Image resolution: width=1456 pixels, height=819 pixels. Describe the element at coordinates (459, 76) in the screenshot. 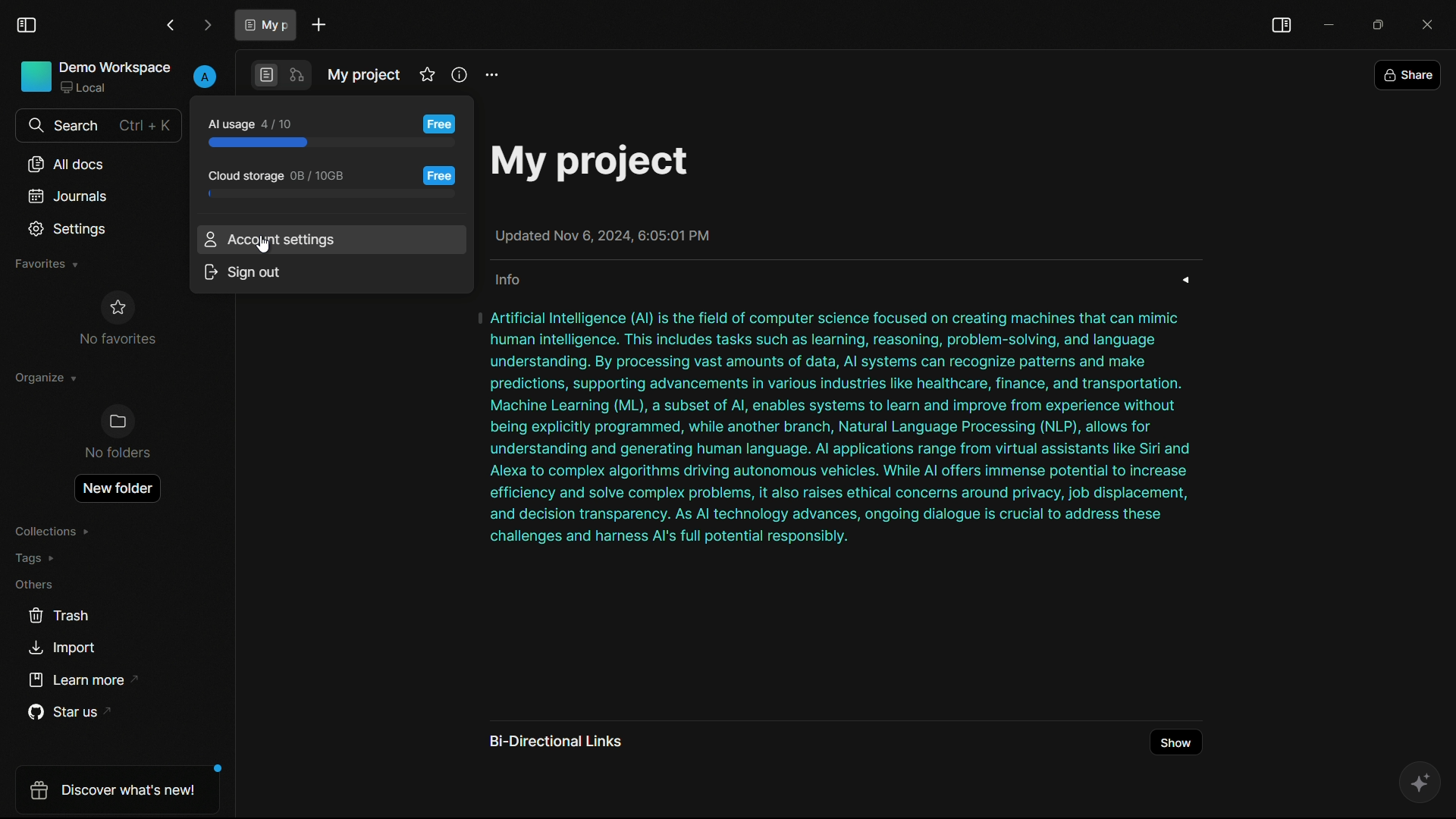

I see `info` at that location.